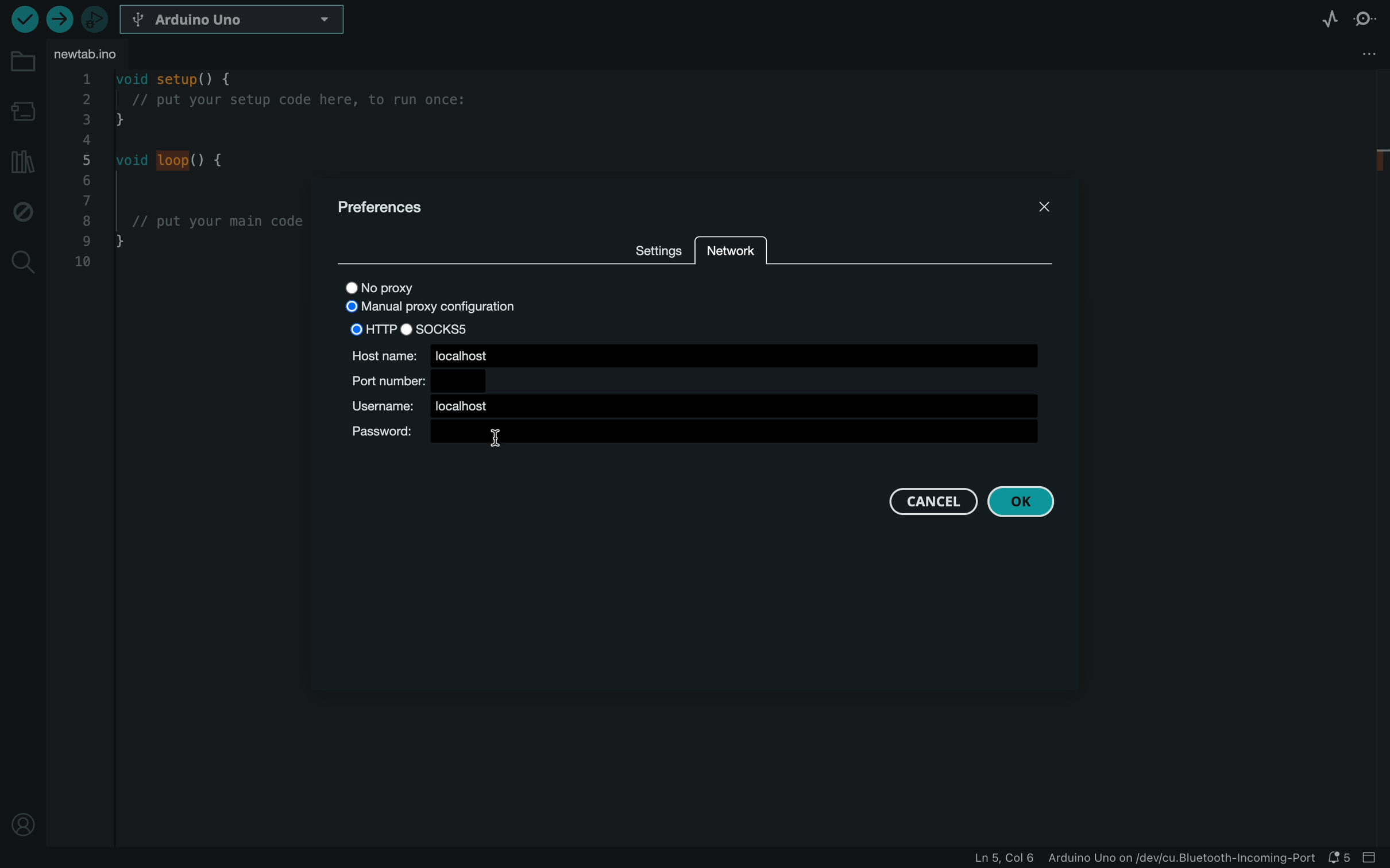  I want to click on HTTP , so click(372, 328).